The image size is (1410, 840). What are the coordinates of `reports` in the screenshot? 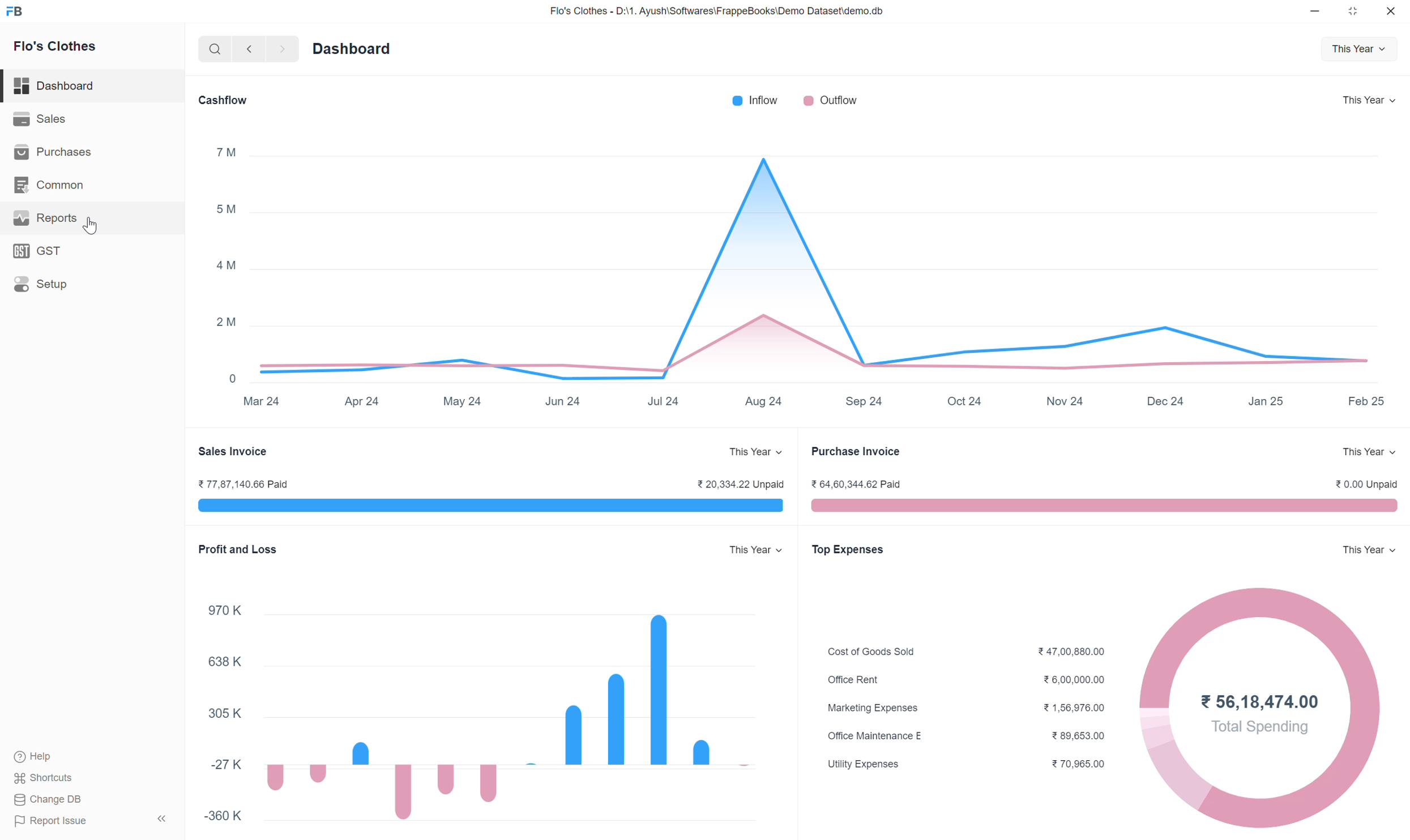 It's located at (54, 220).